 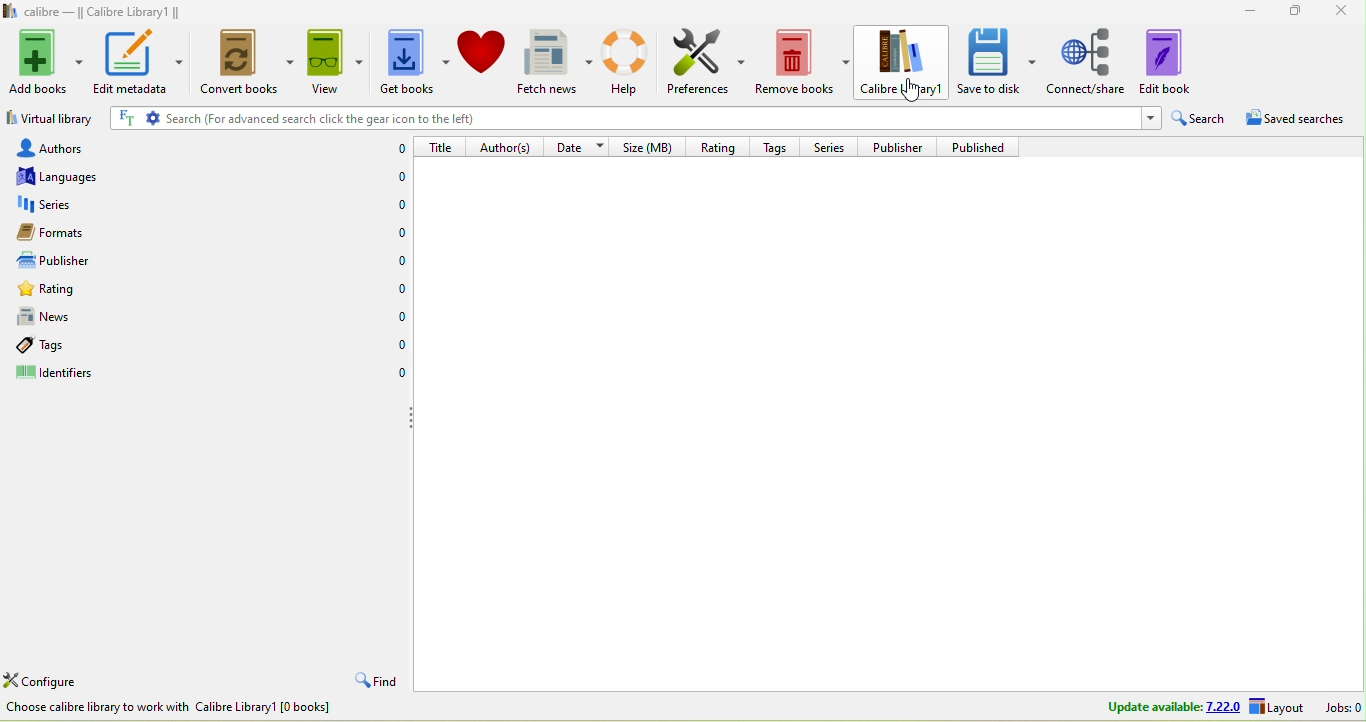 I want to click on 0, so click(x=398, y=235).